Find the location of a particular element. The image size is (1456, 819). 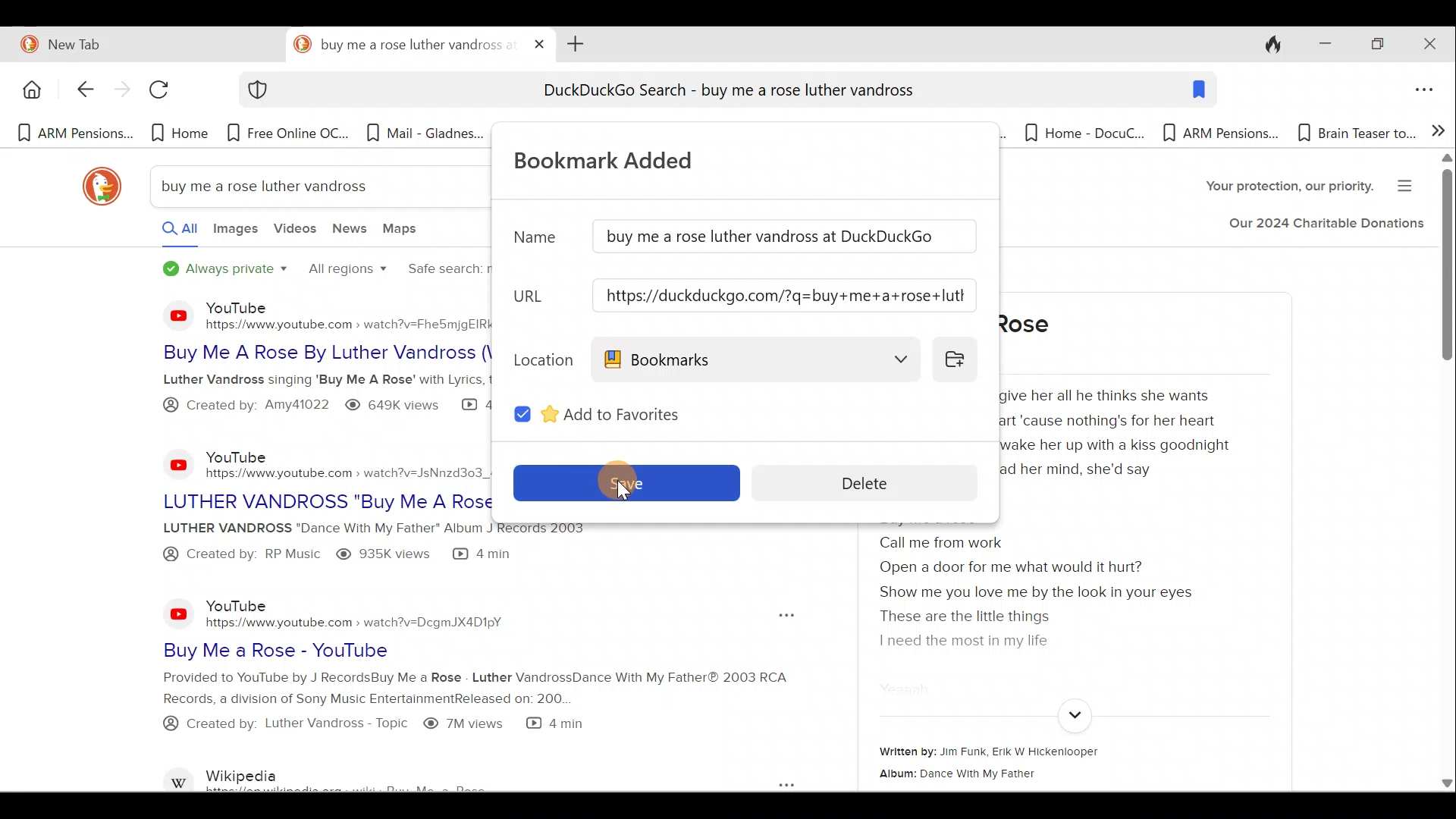

LUTHER VANDROSS "Buy Me A Rose" - YouTube is located at coordinates (325, 497).